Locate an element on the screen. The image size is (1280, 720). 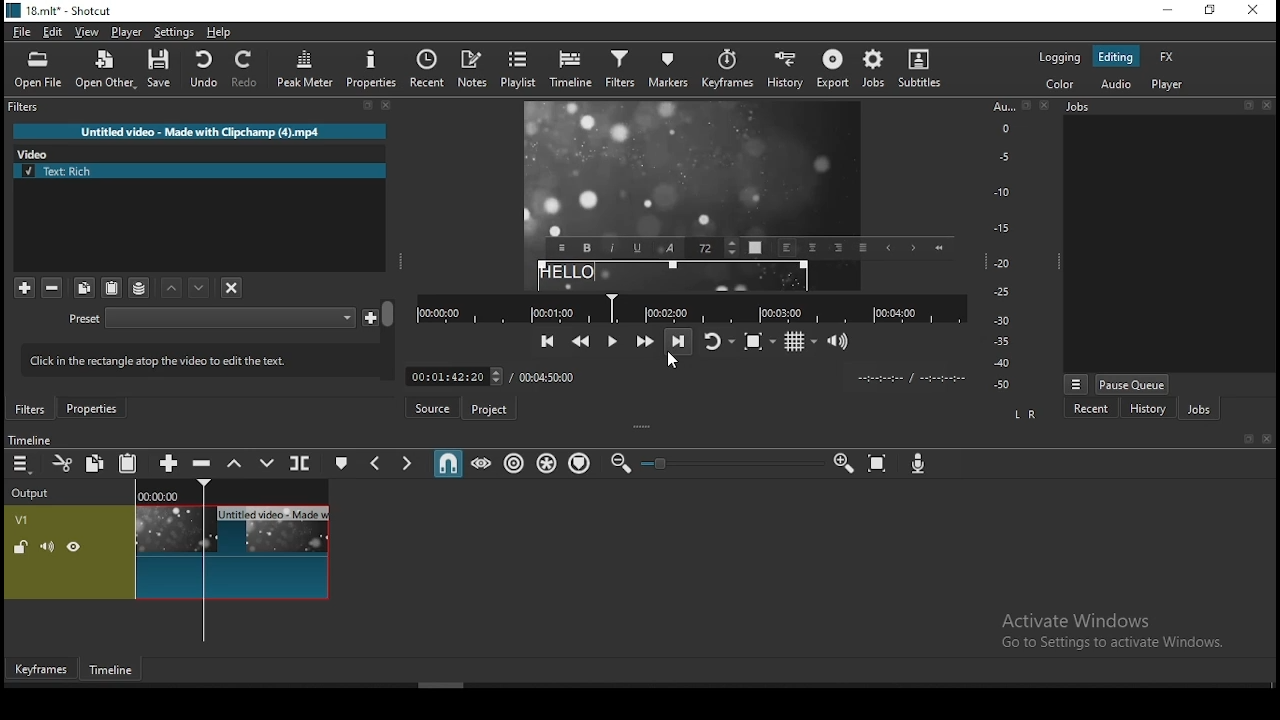
Underline is located at coordinates (638, 247).